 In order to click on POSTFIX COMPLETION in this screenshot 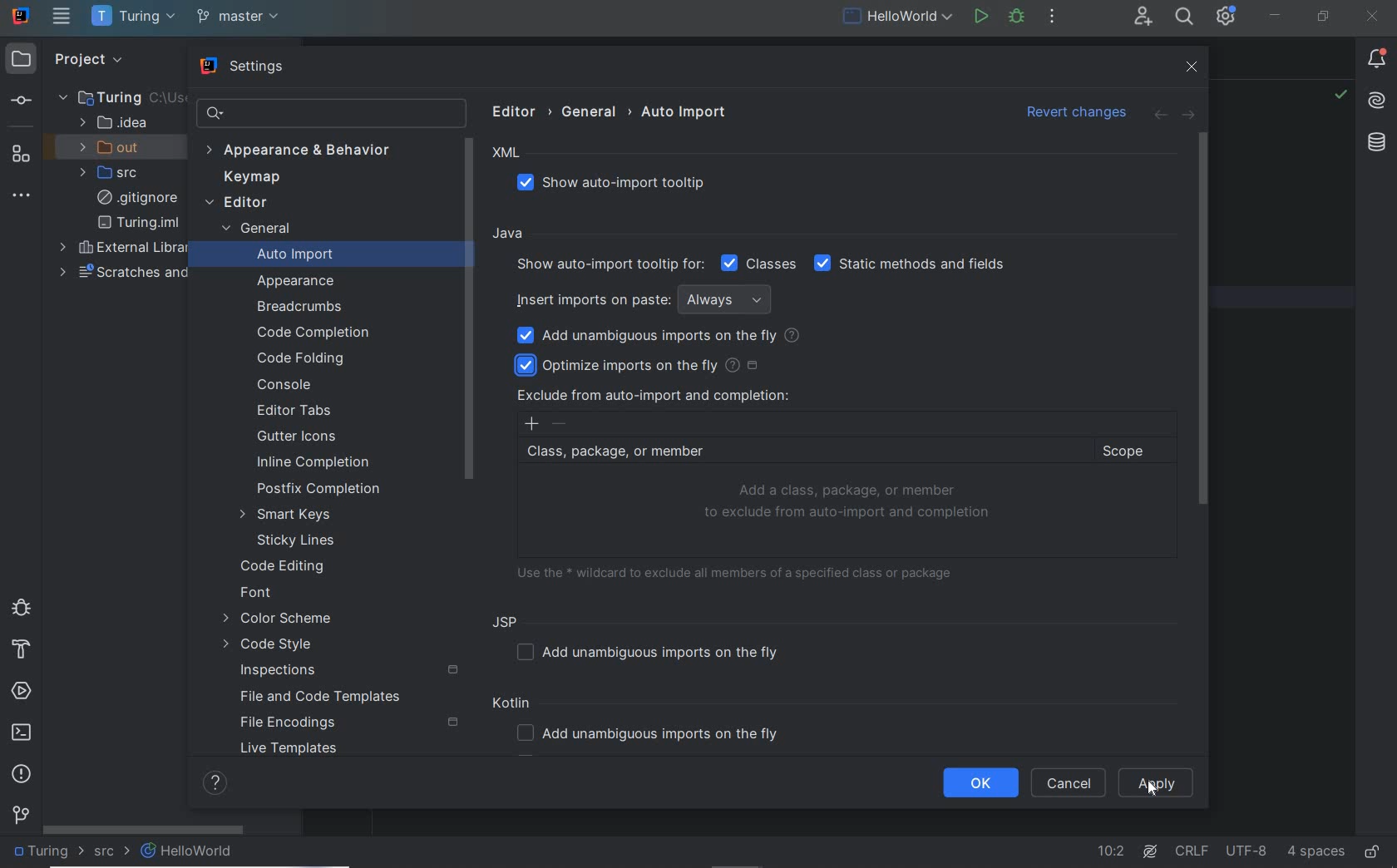, I will do `click(320, 489)`.